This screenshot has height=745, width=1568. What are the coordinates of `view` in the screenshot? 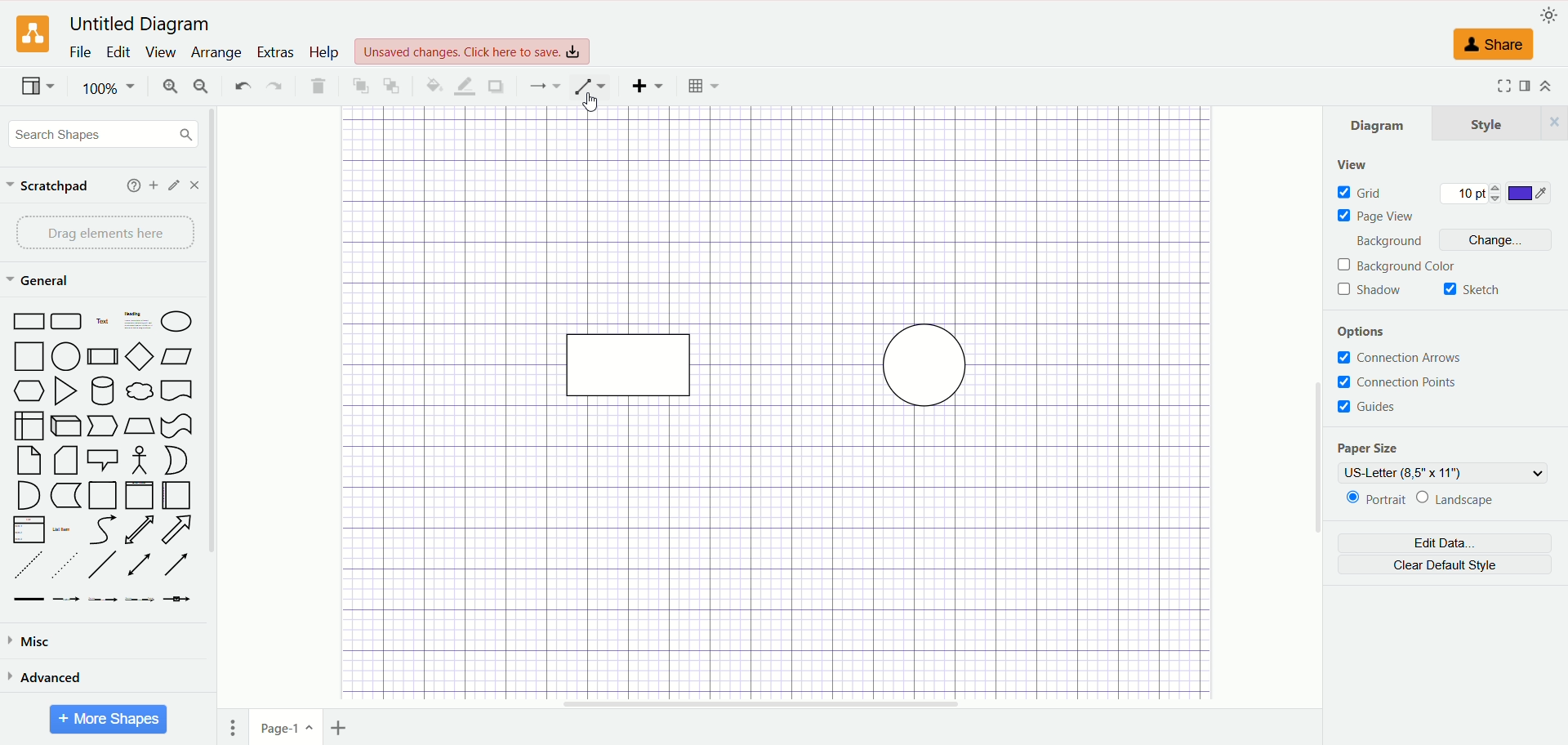 It's located at (162, 51).